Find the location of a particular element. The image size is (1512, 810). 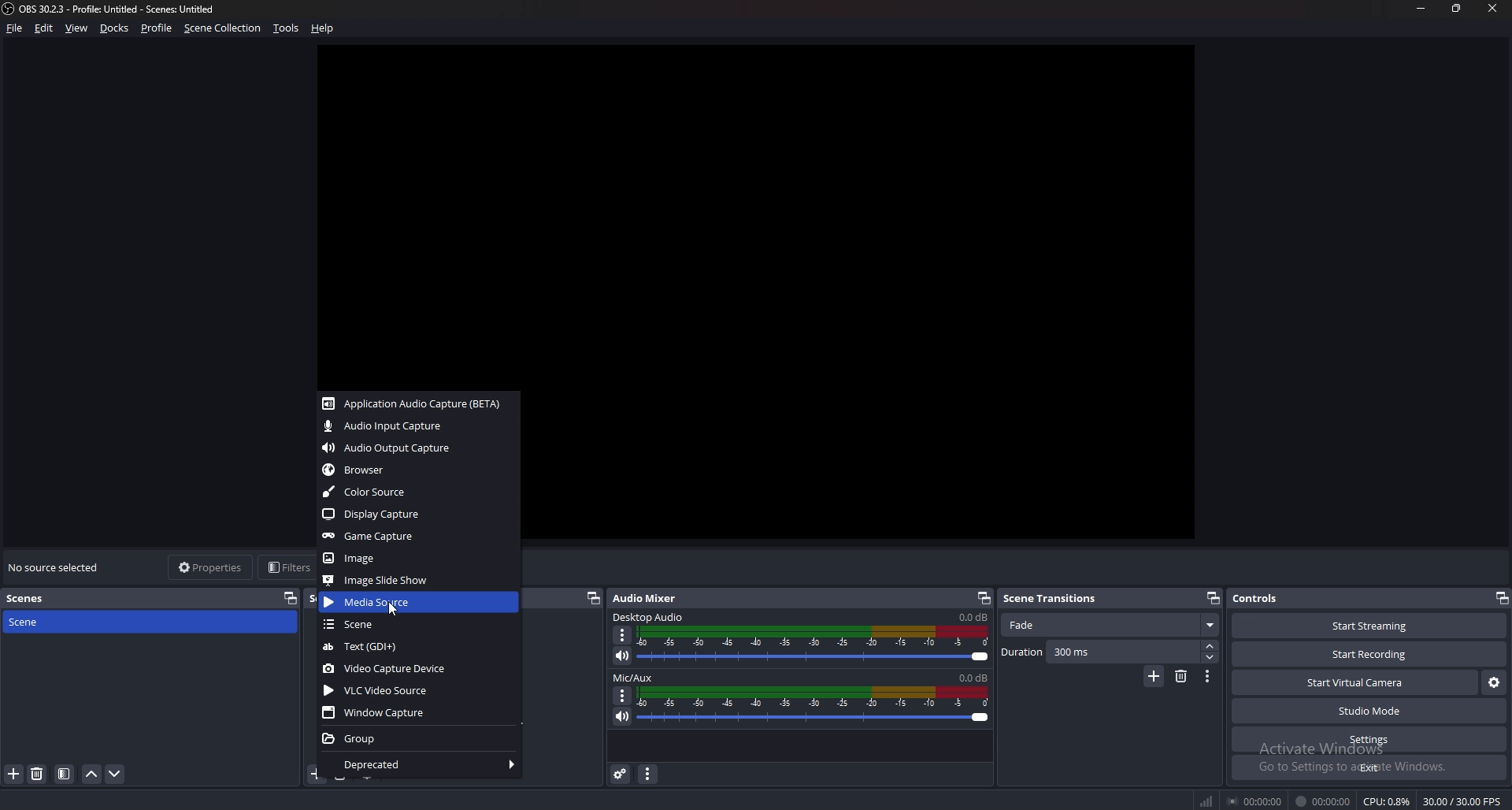

Duration is located at coordinates (1101, 652).